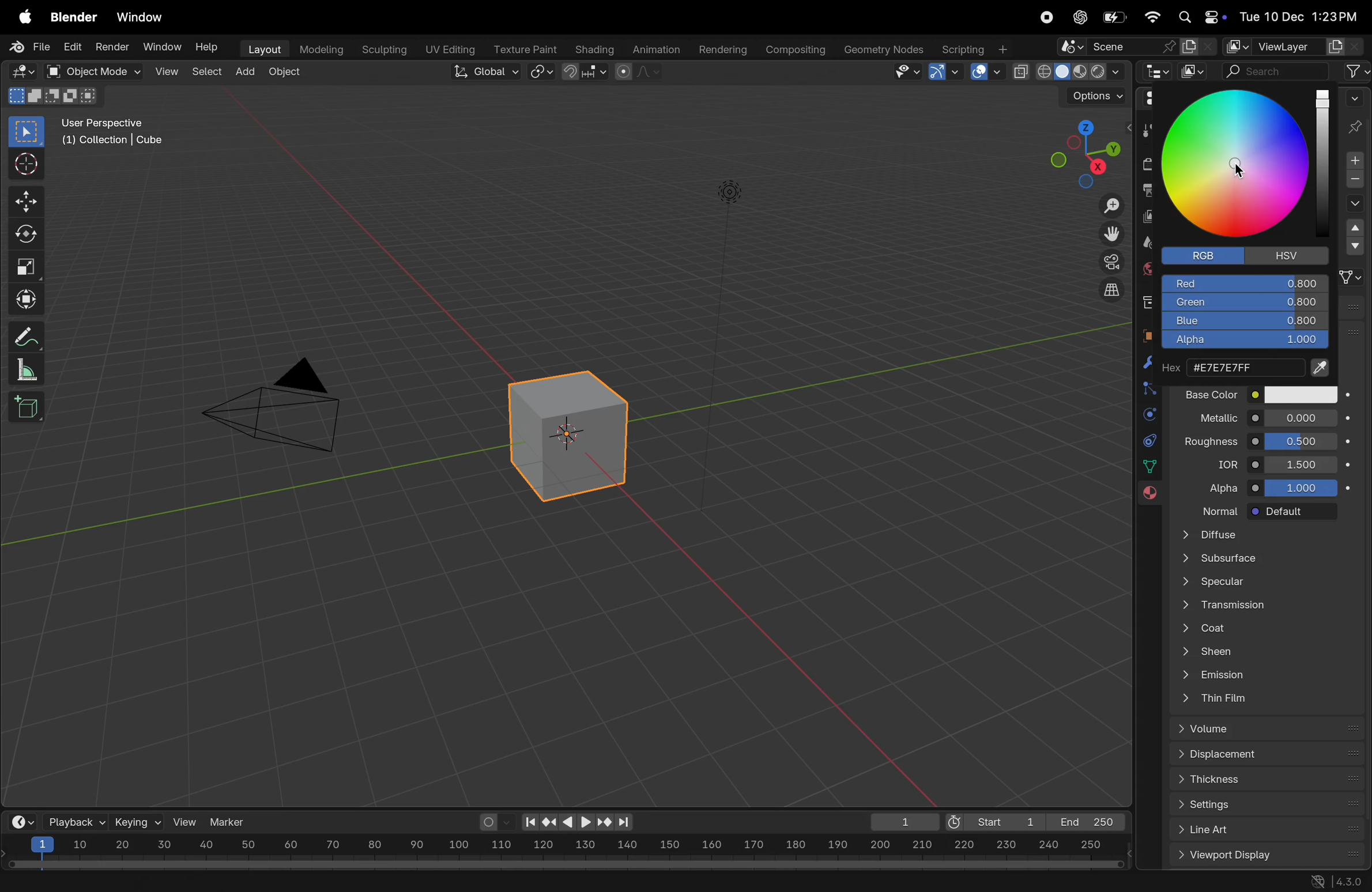  What do you see at coordinates (1046, 18) in the screenshot?
I see `record` at bounding box center [1046, 18].